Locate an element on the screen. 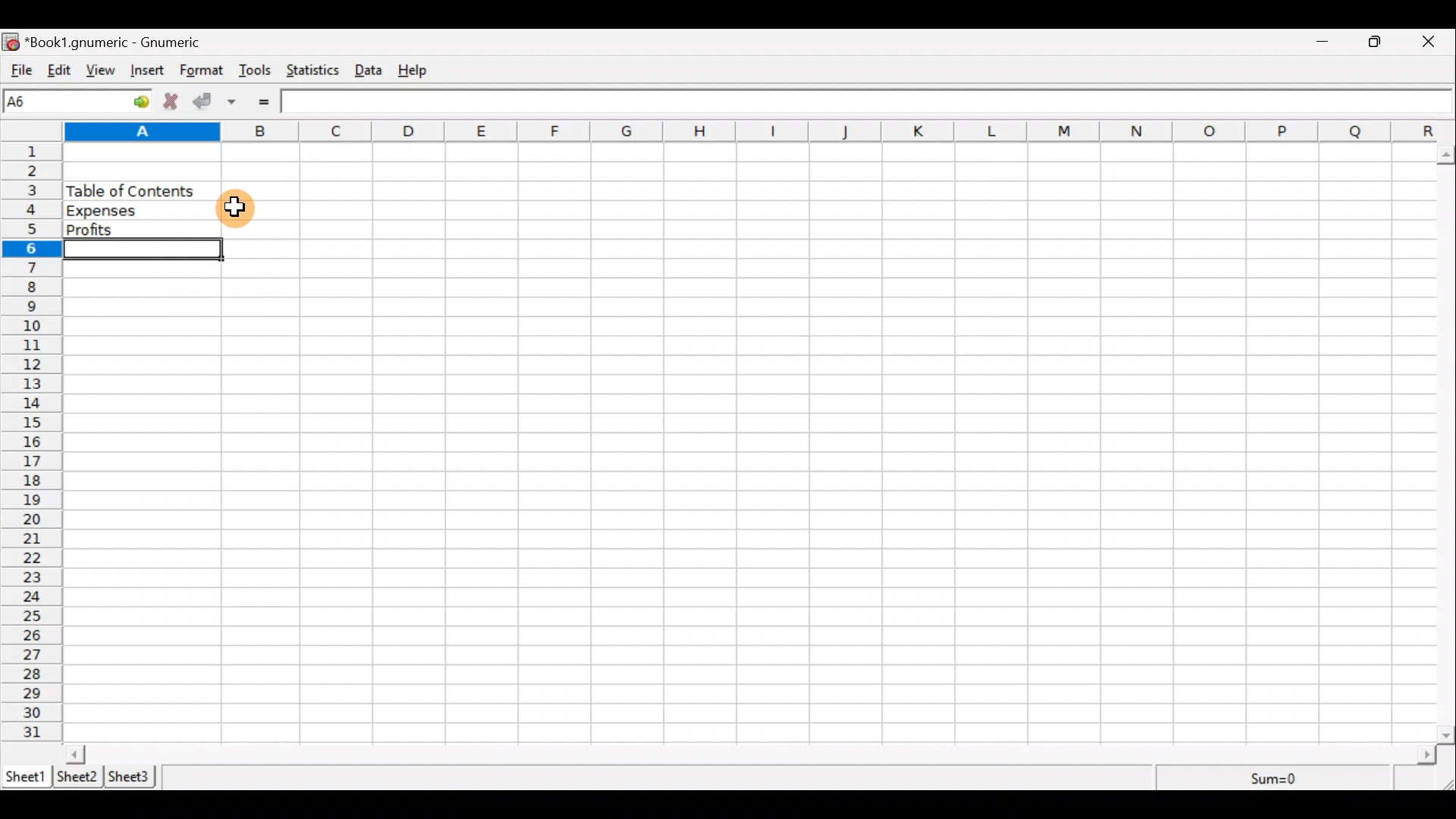 Image resolution: width=1456 pixels, height=819 pixels. Cell name is located at coordinates (78, 101).